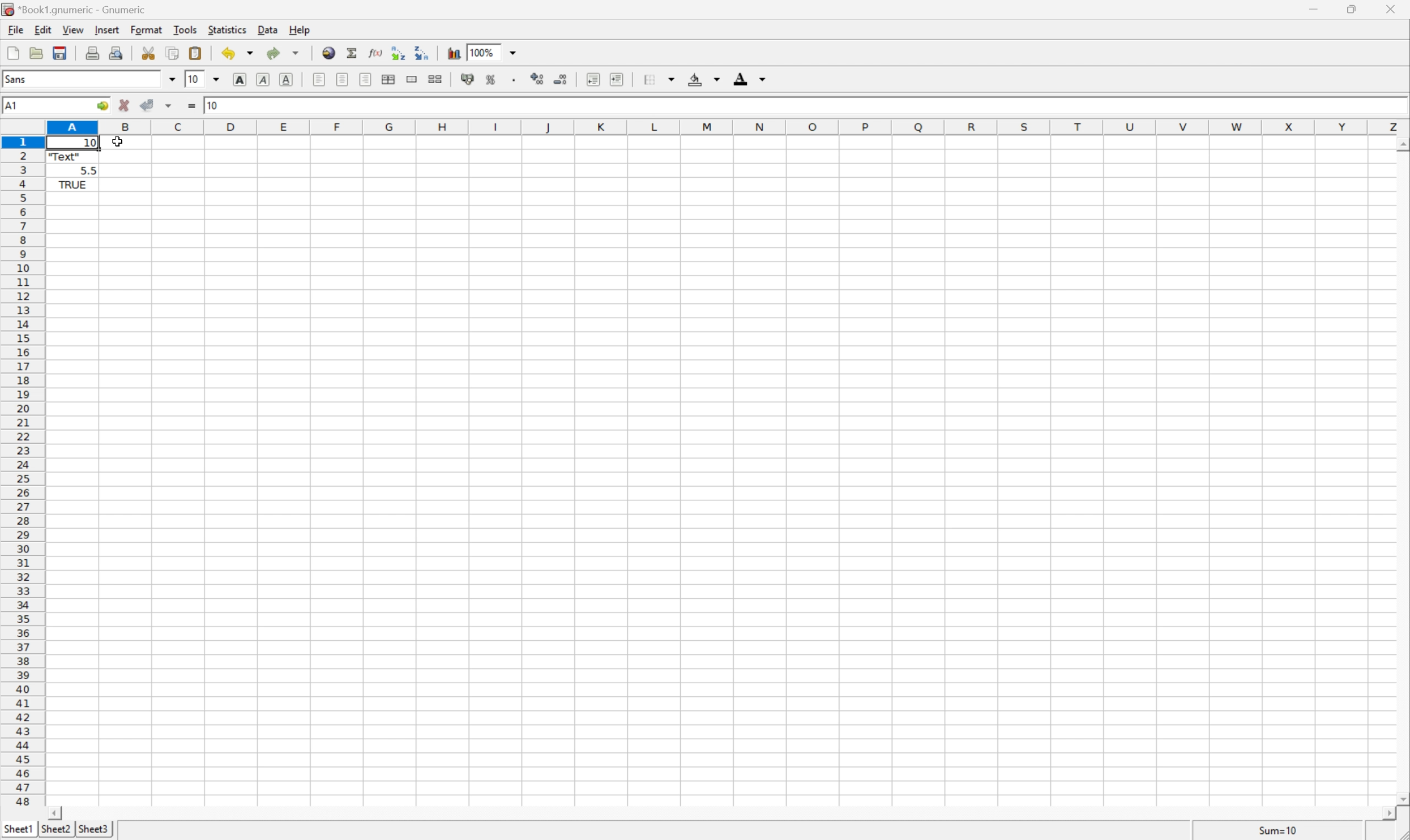  Describe the element at coordinates (117, 143) in the screenshot. I see `Cursor` at that location.